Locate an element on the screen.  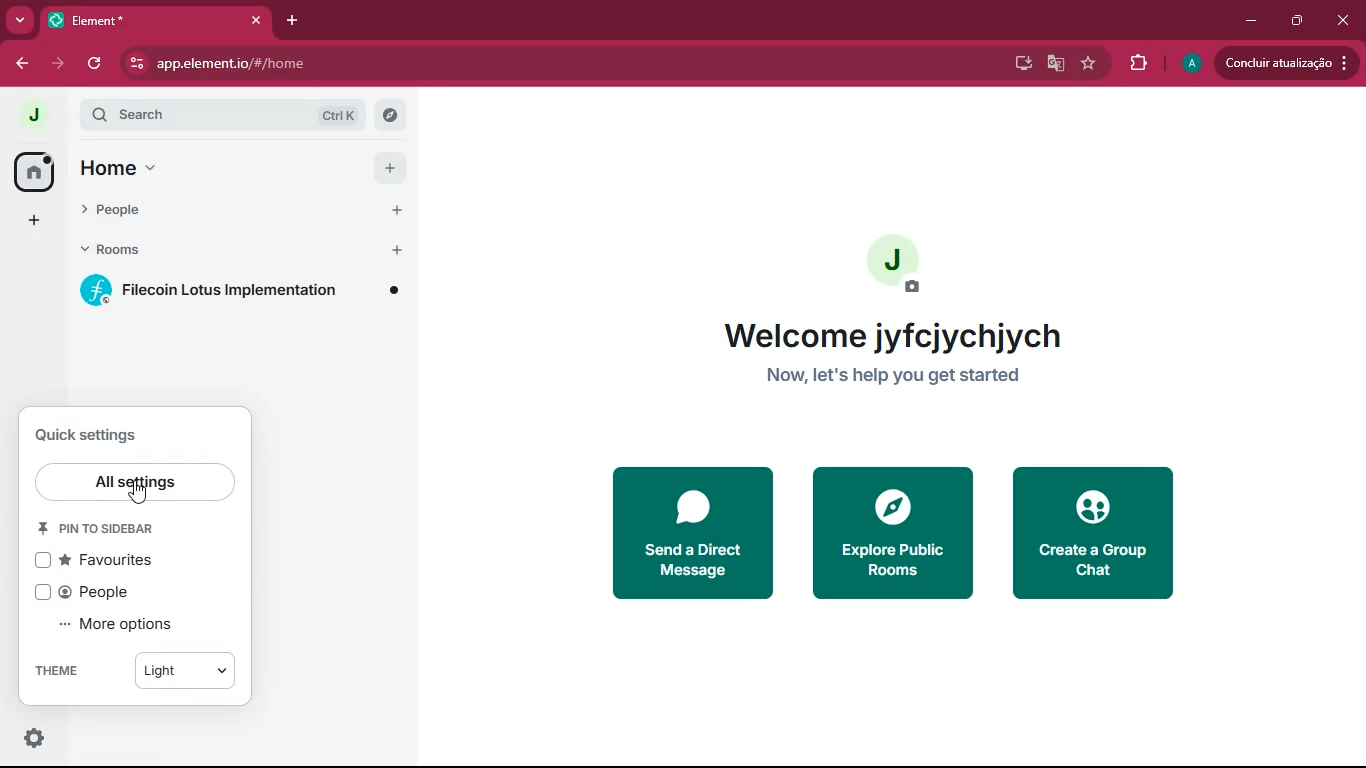
profile is located at coordinates (1190, 64).